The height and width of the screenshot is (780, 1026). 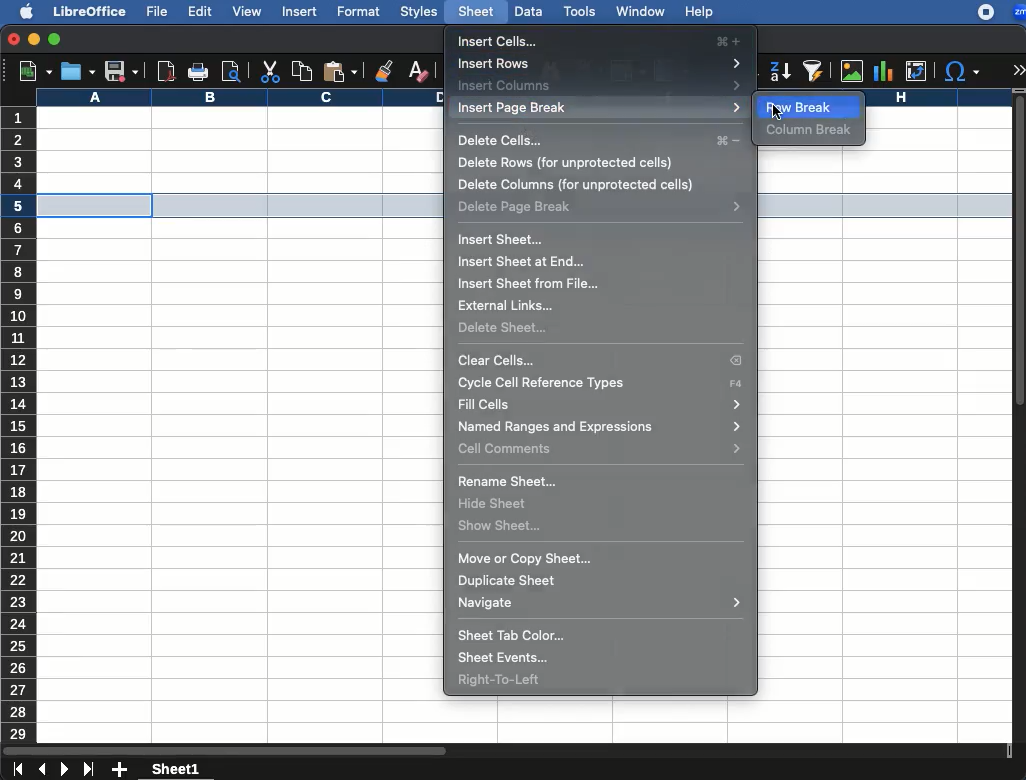 What do you see at coordinates (500, 681) in the screenshot?
I see `right to left` at bounding box center [500, 681].